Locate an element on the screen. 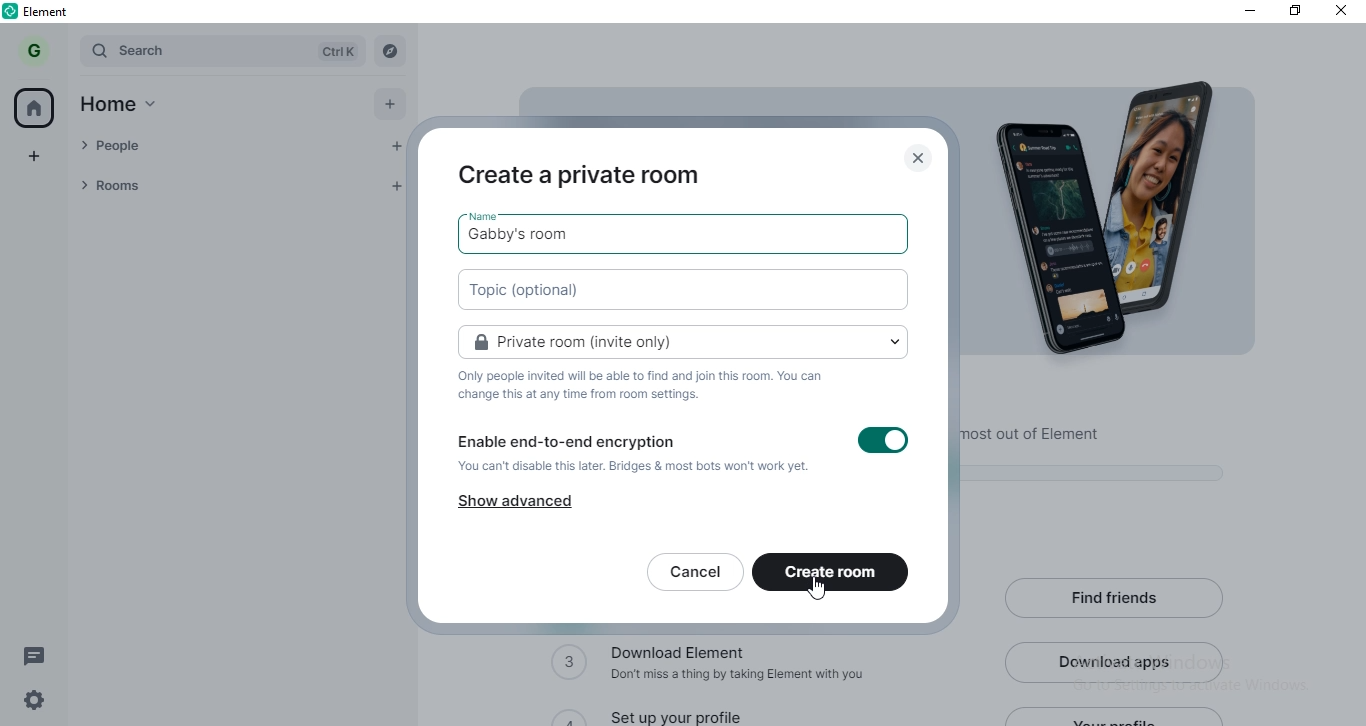 The width and height of the screenshot is (1366, 726). show advanced is located at coordinates (508, 504).